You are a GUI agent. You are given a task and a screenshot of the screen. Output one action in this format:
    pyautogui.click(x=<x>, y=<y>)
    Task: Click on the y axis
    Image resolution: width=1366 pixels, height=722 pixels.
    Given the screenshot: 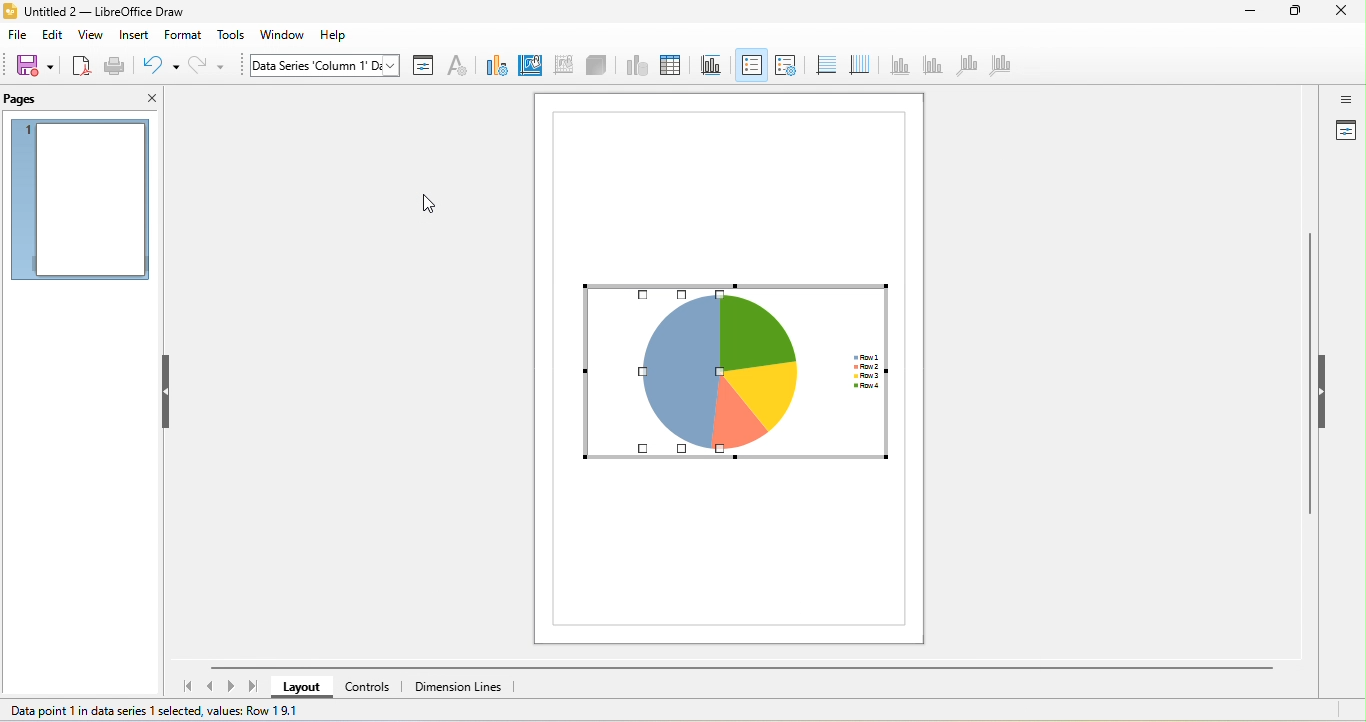 What is the action you would take?
    pyautogui.click(x=931, y=66)
    